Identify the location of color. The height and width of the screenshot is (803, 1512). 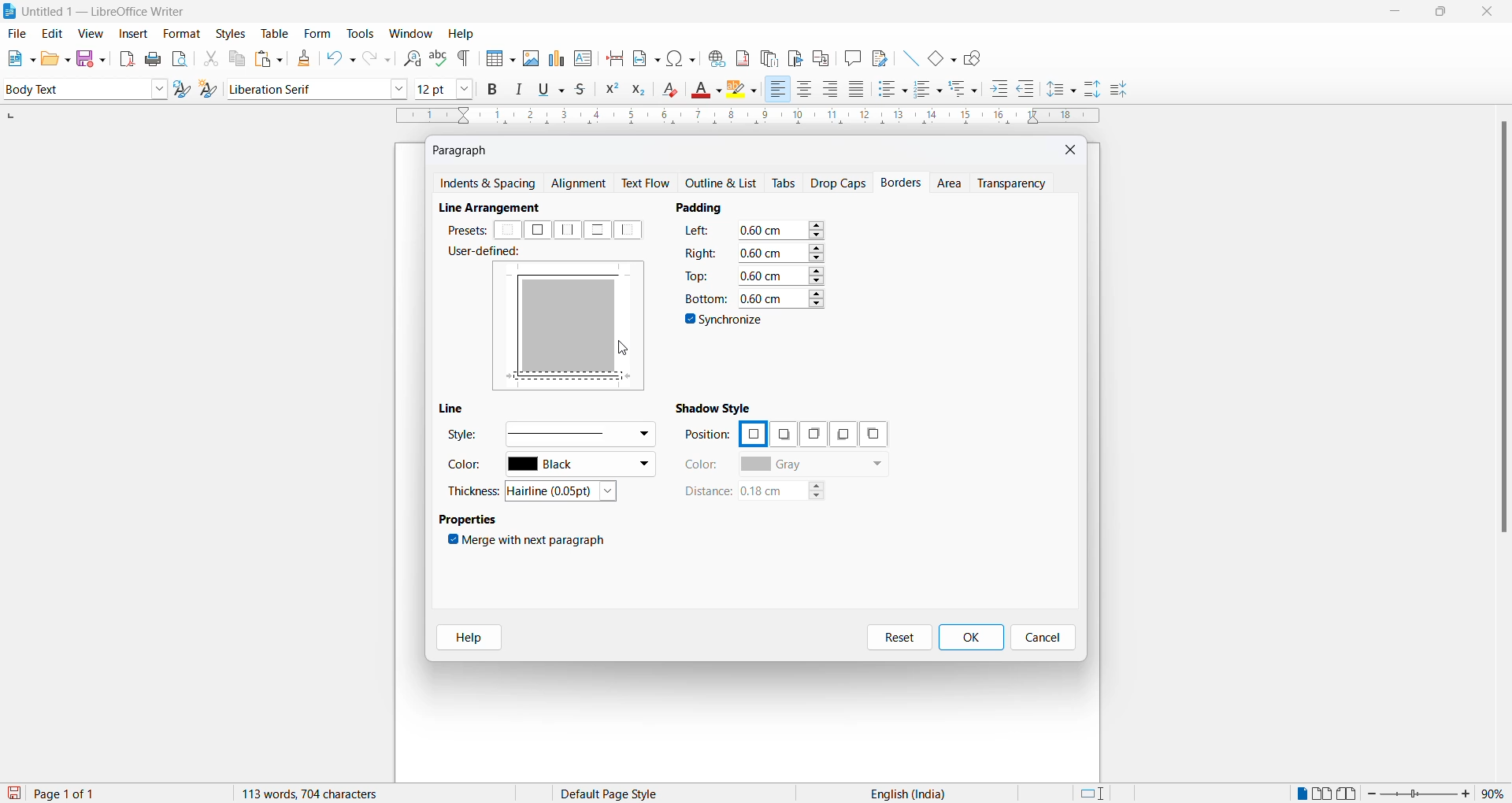
(702, 464).